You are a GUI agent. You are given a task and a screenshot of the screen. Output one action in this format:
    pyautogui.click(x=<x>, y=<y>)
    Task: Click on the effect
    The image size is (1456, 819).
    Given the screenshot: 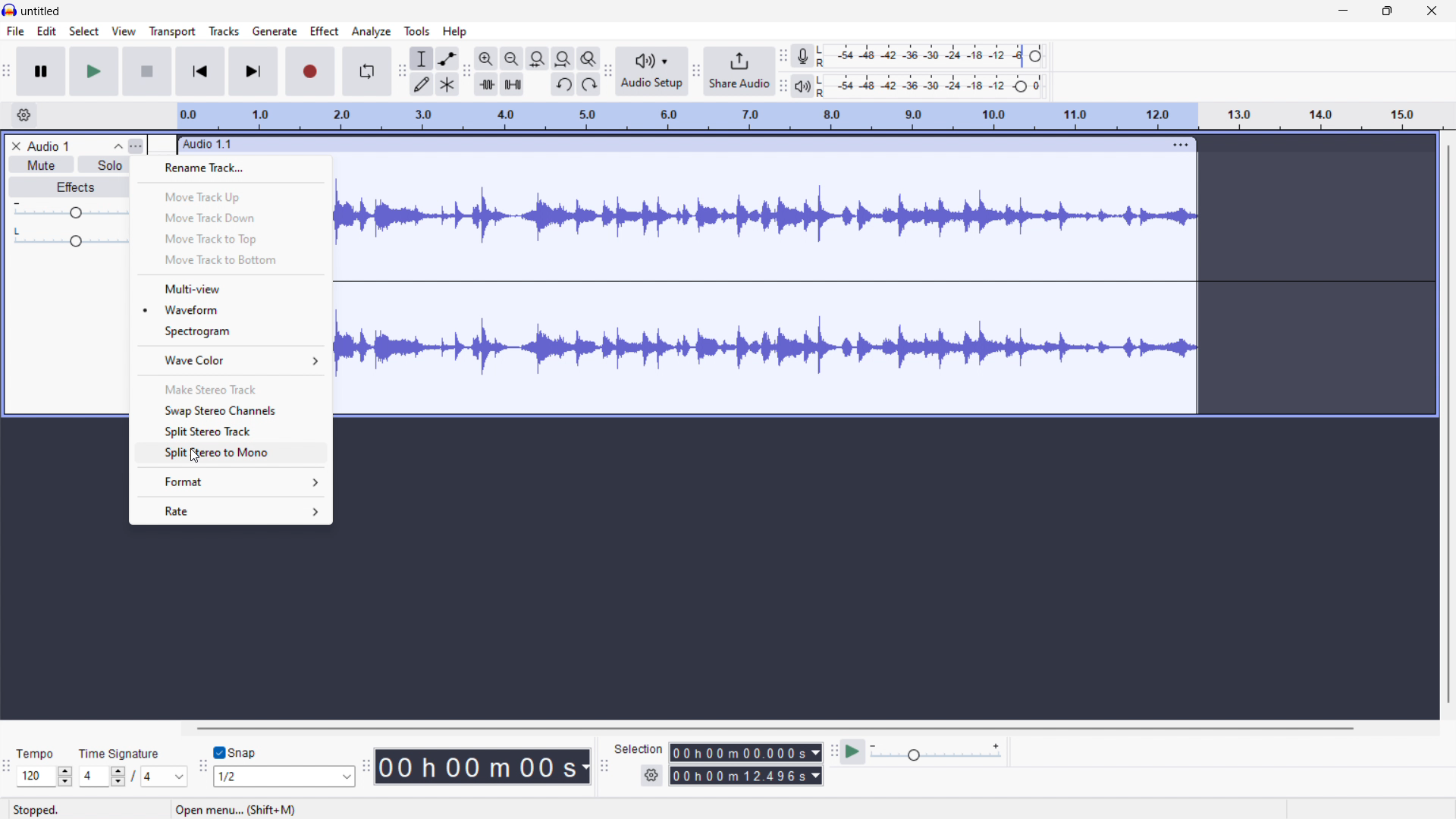 What is the action you would take?
    pyautogui.click(x=325, y=32)
    